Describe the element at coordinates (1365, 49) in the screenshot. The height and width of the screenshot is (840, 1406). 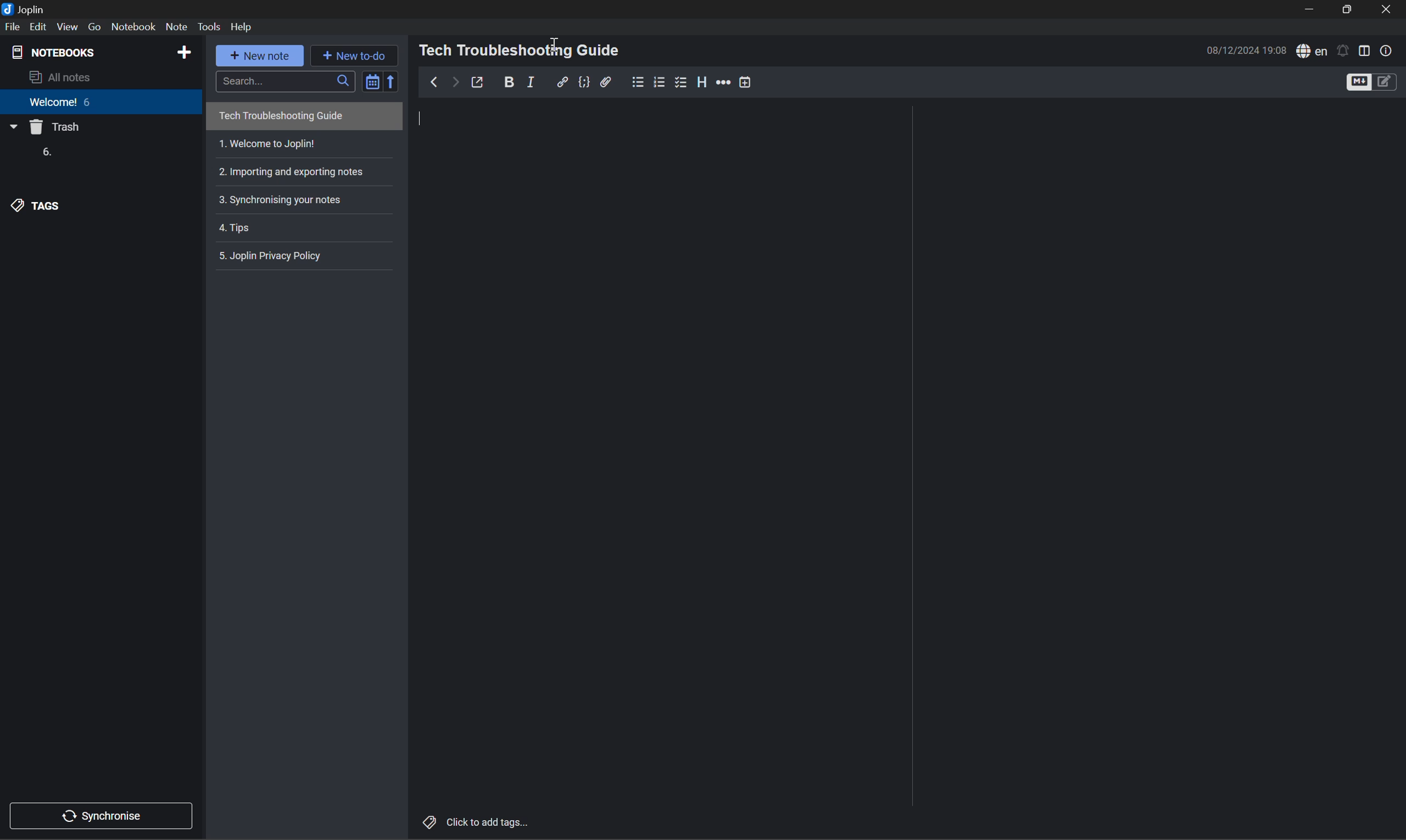
I see `Toggle editor layout` at that location.